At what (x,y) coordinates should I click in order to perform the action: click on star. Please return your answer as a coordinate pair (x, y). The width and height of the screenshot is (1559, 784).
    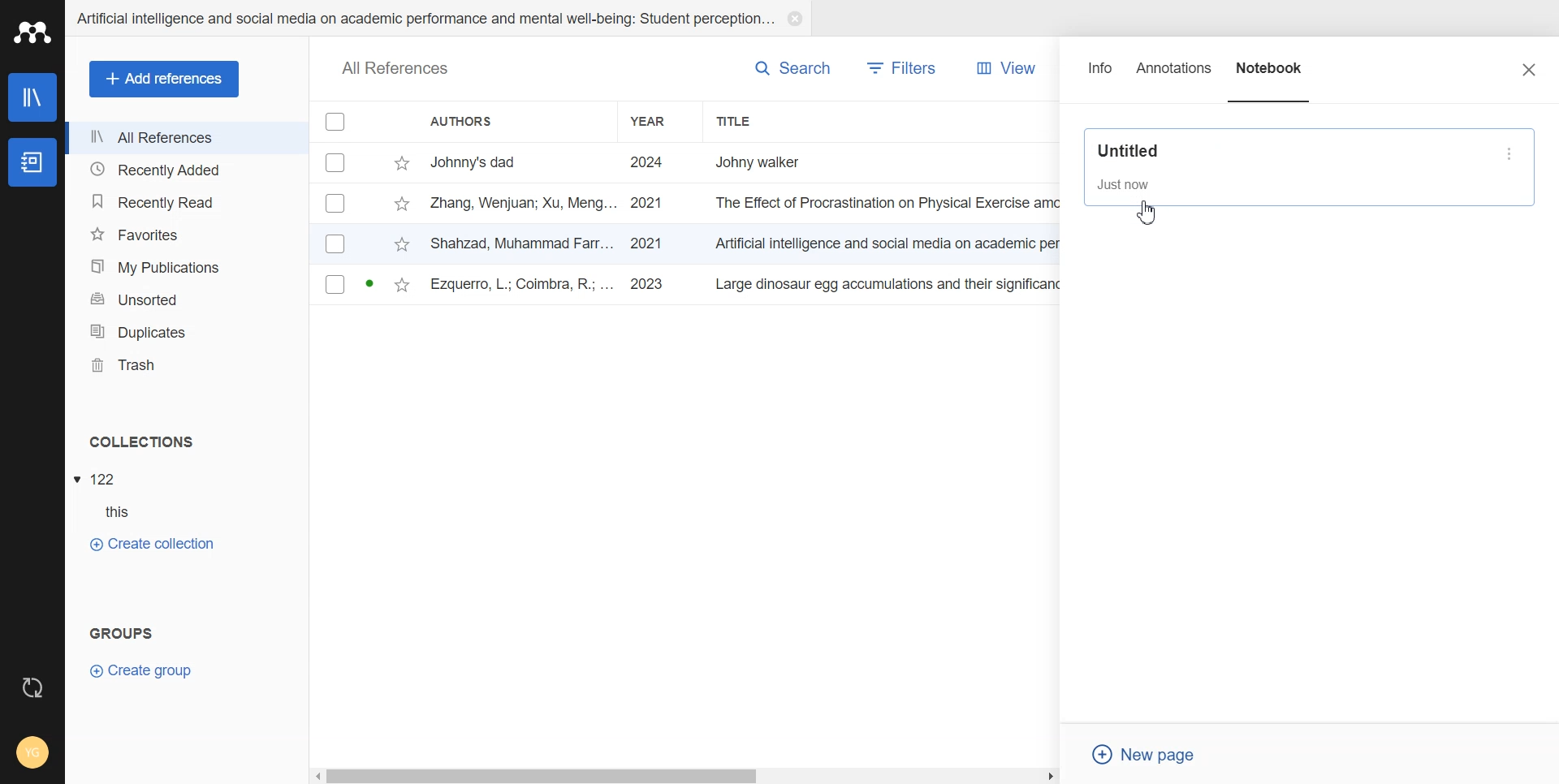
    Looking at the image, I should click on (402, 286).